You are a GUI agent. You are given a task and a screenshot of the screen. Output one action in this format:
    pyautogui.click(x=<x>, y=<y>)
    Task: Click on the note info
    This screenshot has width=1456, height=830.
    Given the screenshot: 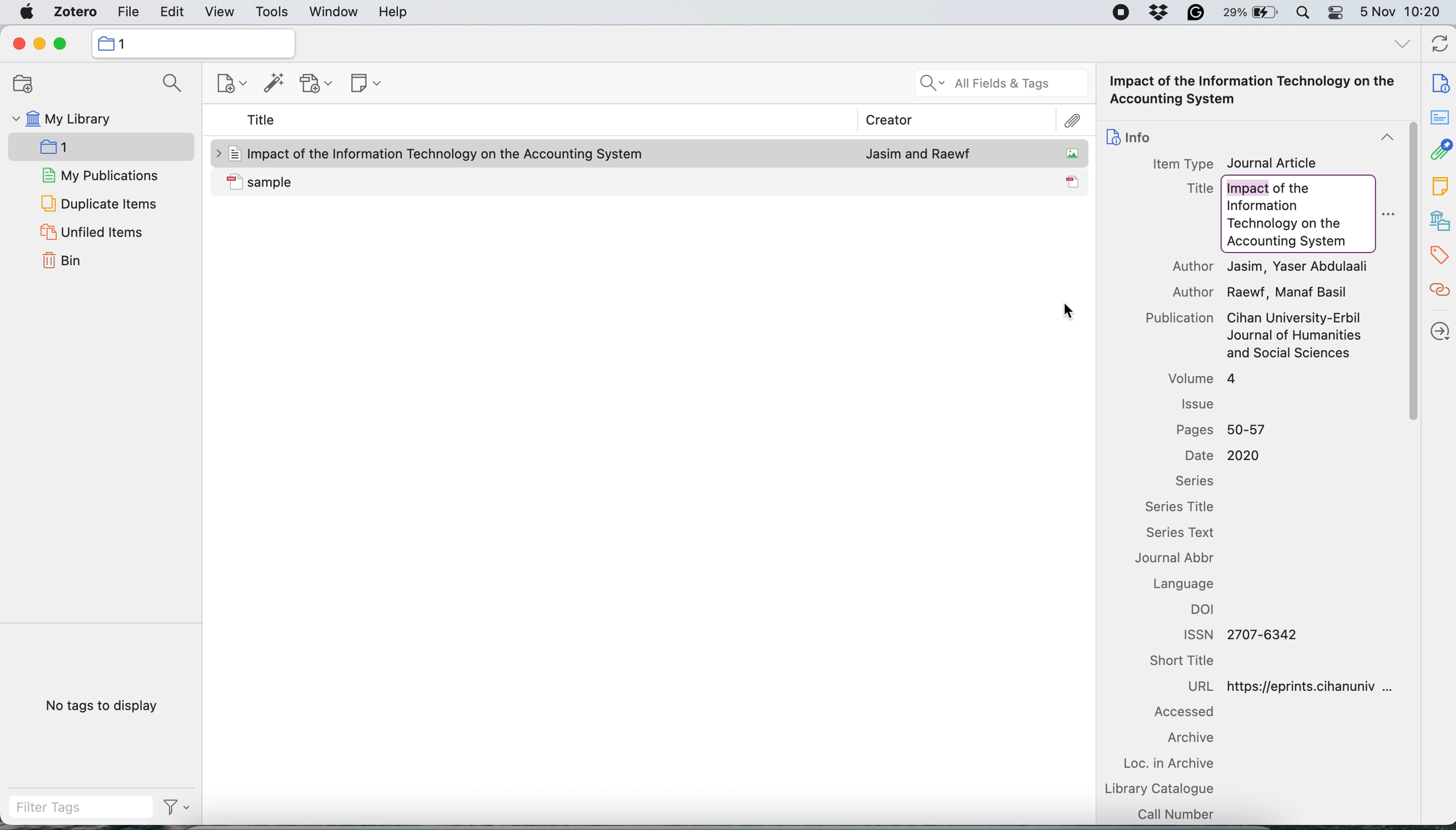 What is the action you would take?
    pyautogui.click(x=1439, y=83)
    